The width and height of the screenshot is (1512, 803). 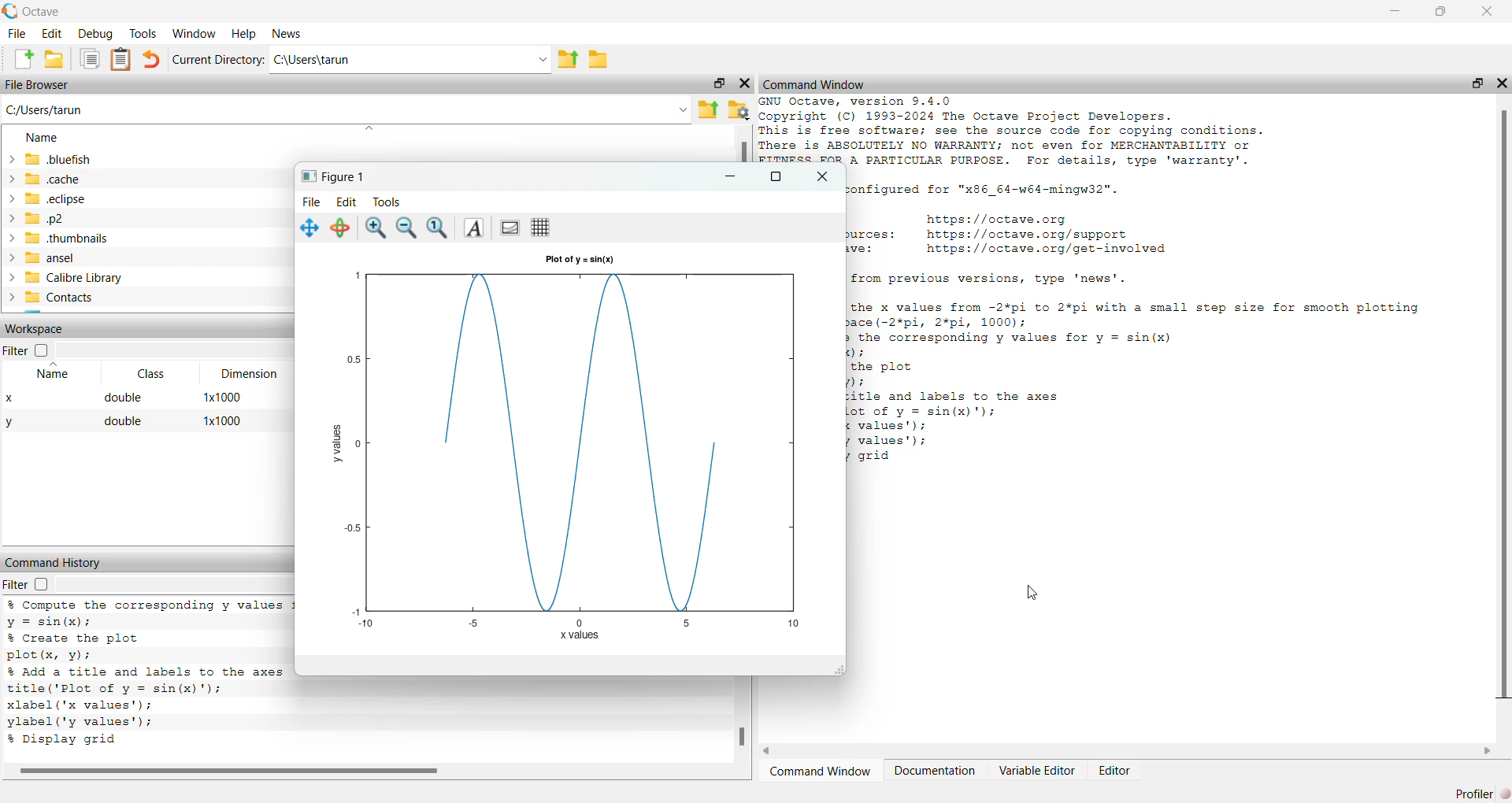 I want to click on move, so click(x=310, y=228).